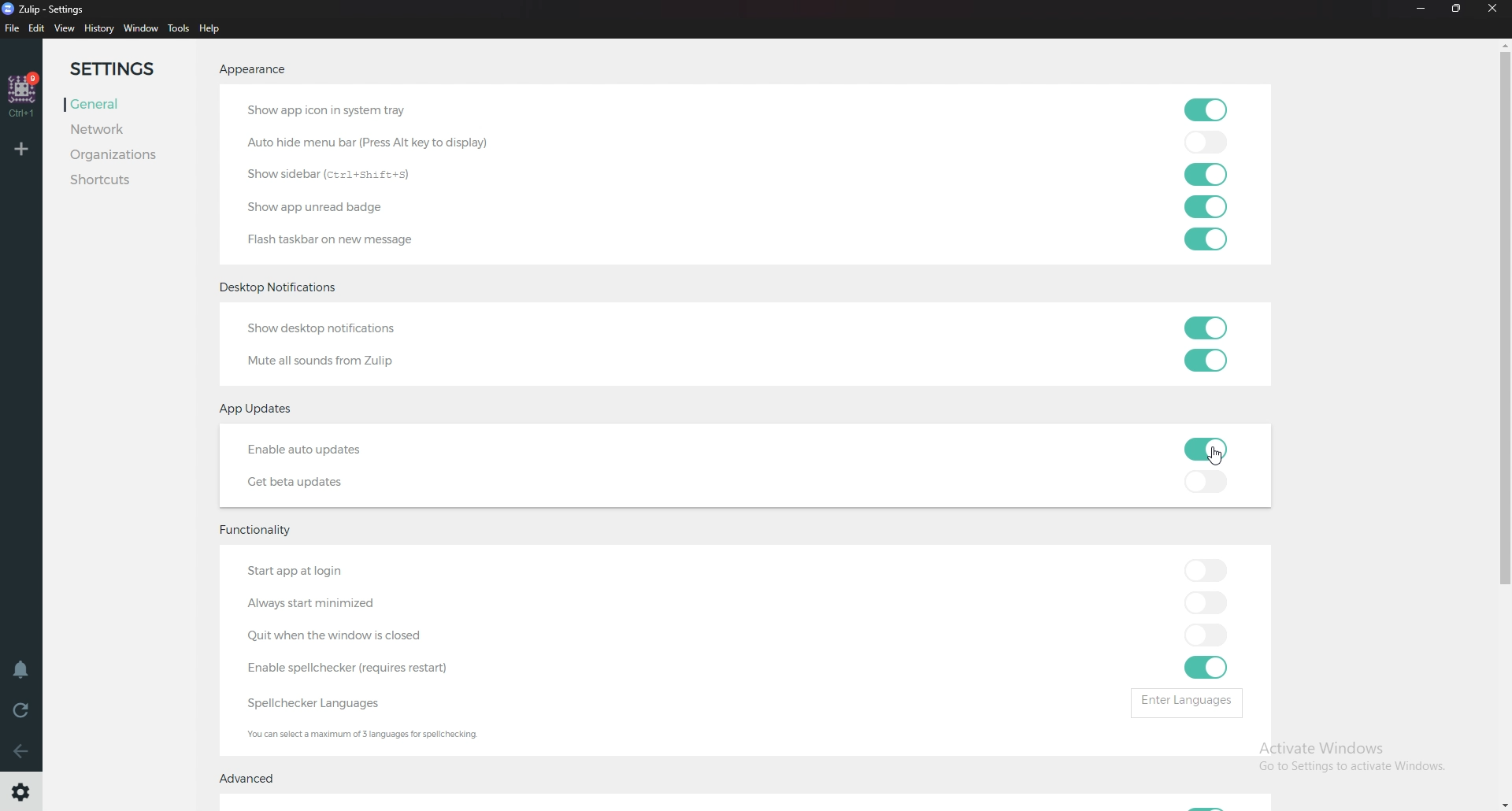  Describe the element at coordinates (254, 72) in the screenshot. I see `Appearance` at that location.